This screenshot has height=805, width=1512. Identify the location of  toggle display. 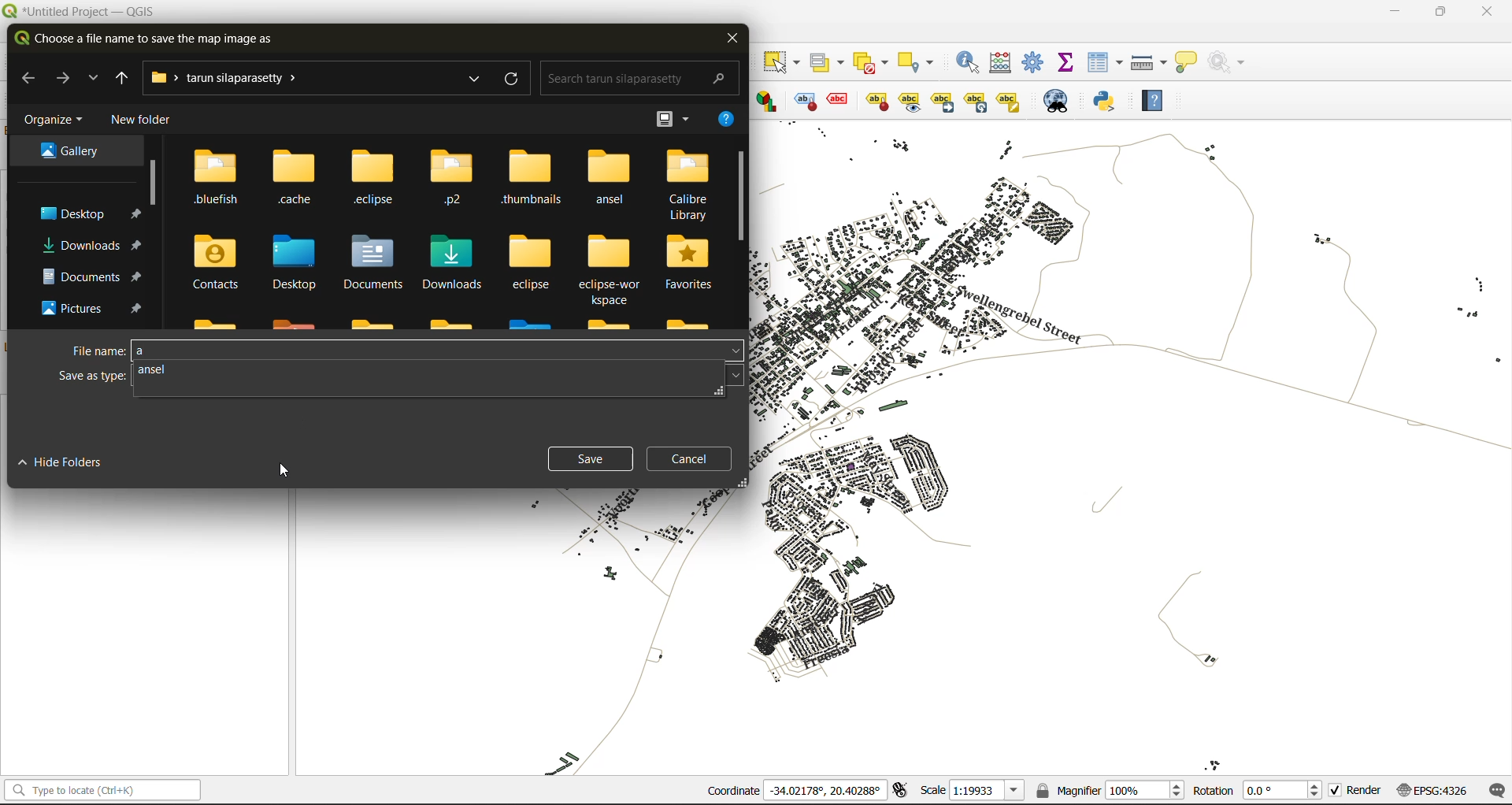
(802, 101).